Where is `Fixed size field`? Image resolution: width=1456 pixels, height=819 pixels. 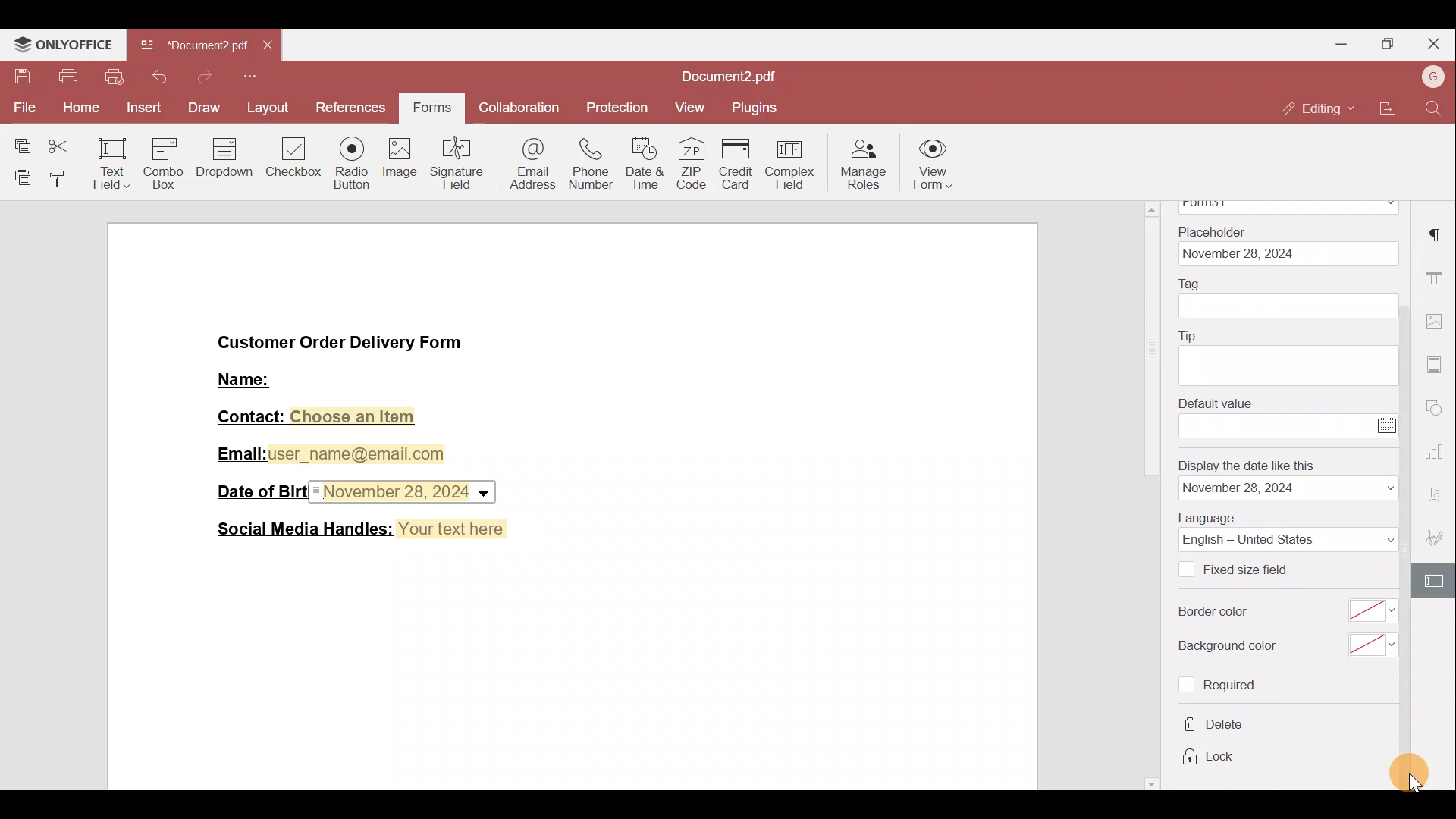 Fixed size field is located at coordinates (1259, 570).